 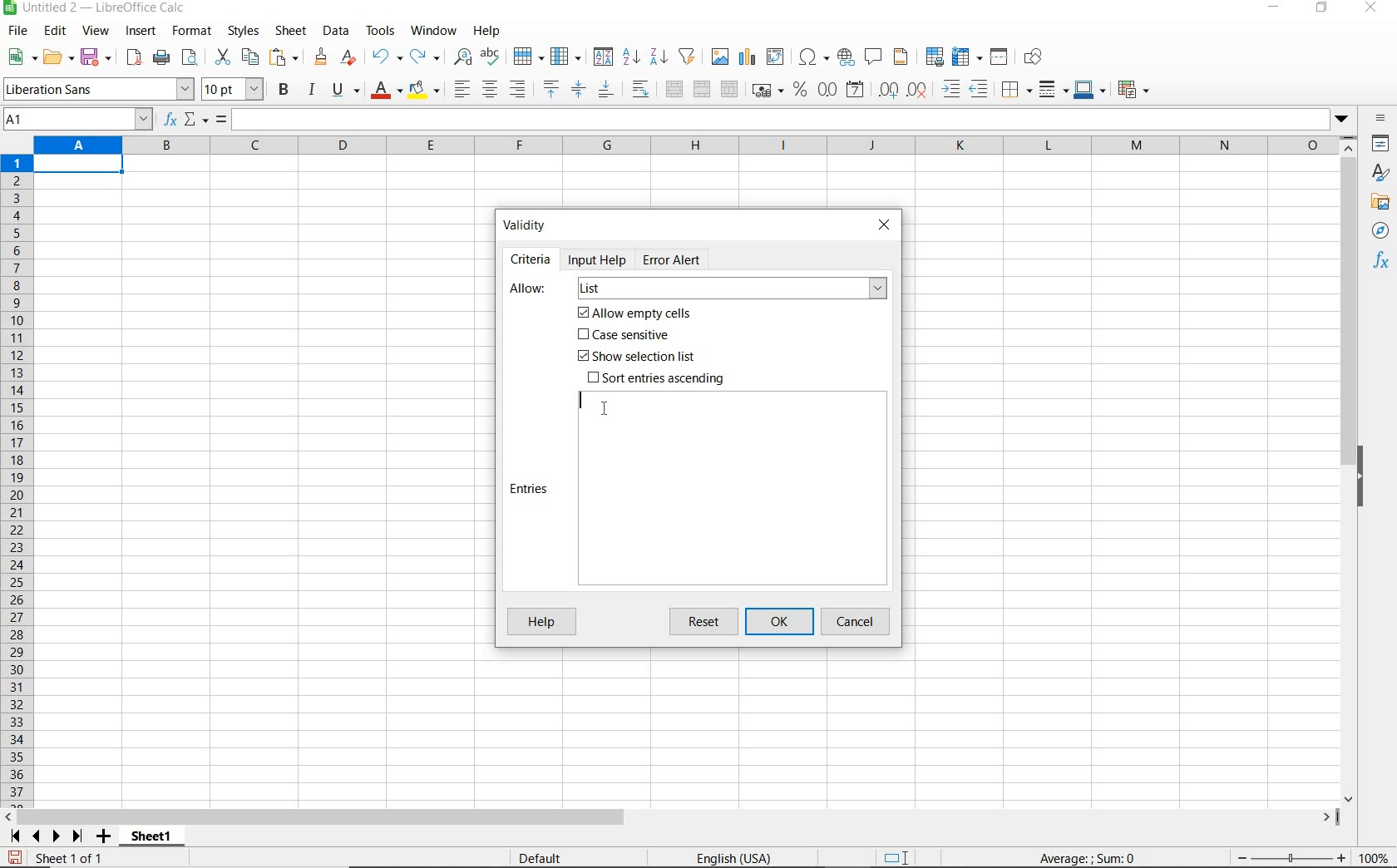 What do you see at coordinates (777, 121) in the screenshot?
I see `expand formula bar/input line` at bounding box center [777, 121].